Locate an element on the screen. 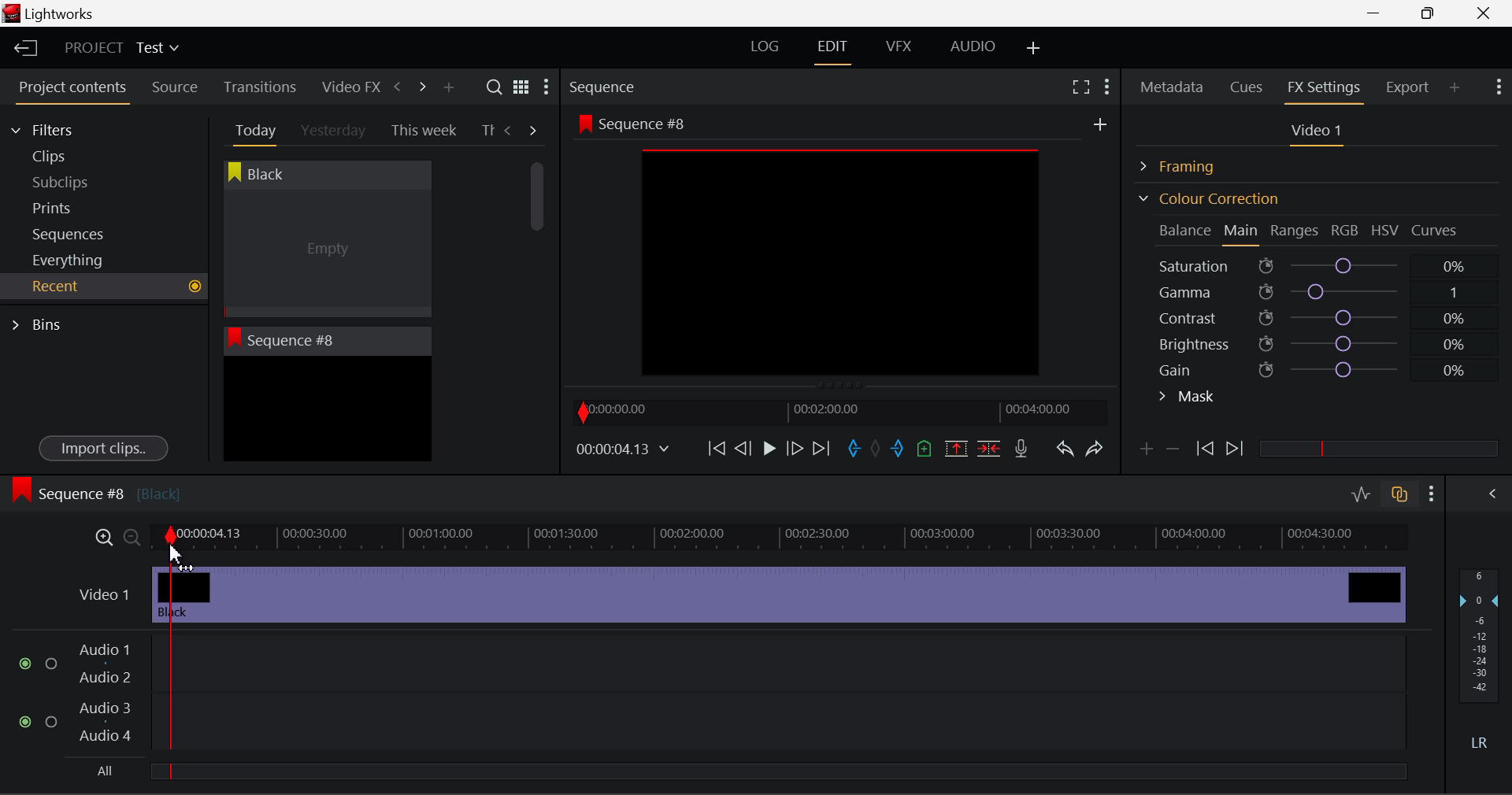 This screenshot has width=1512, height=795. Show Settings is located at coordinates (1432, 494).